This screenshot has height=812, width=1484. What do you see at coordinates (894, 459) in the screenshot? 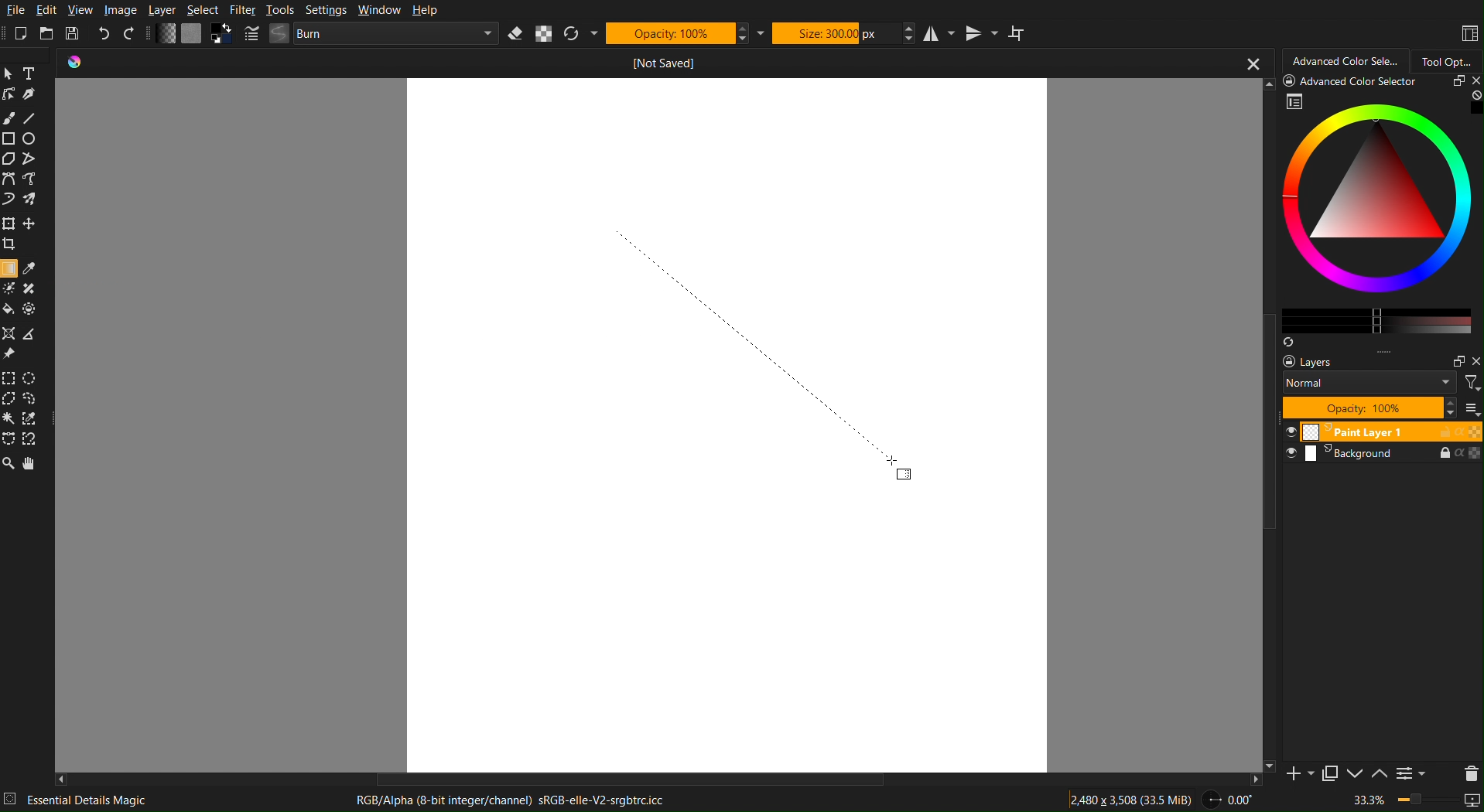
I see `Cursor` at bounding box center [894, 459].